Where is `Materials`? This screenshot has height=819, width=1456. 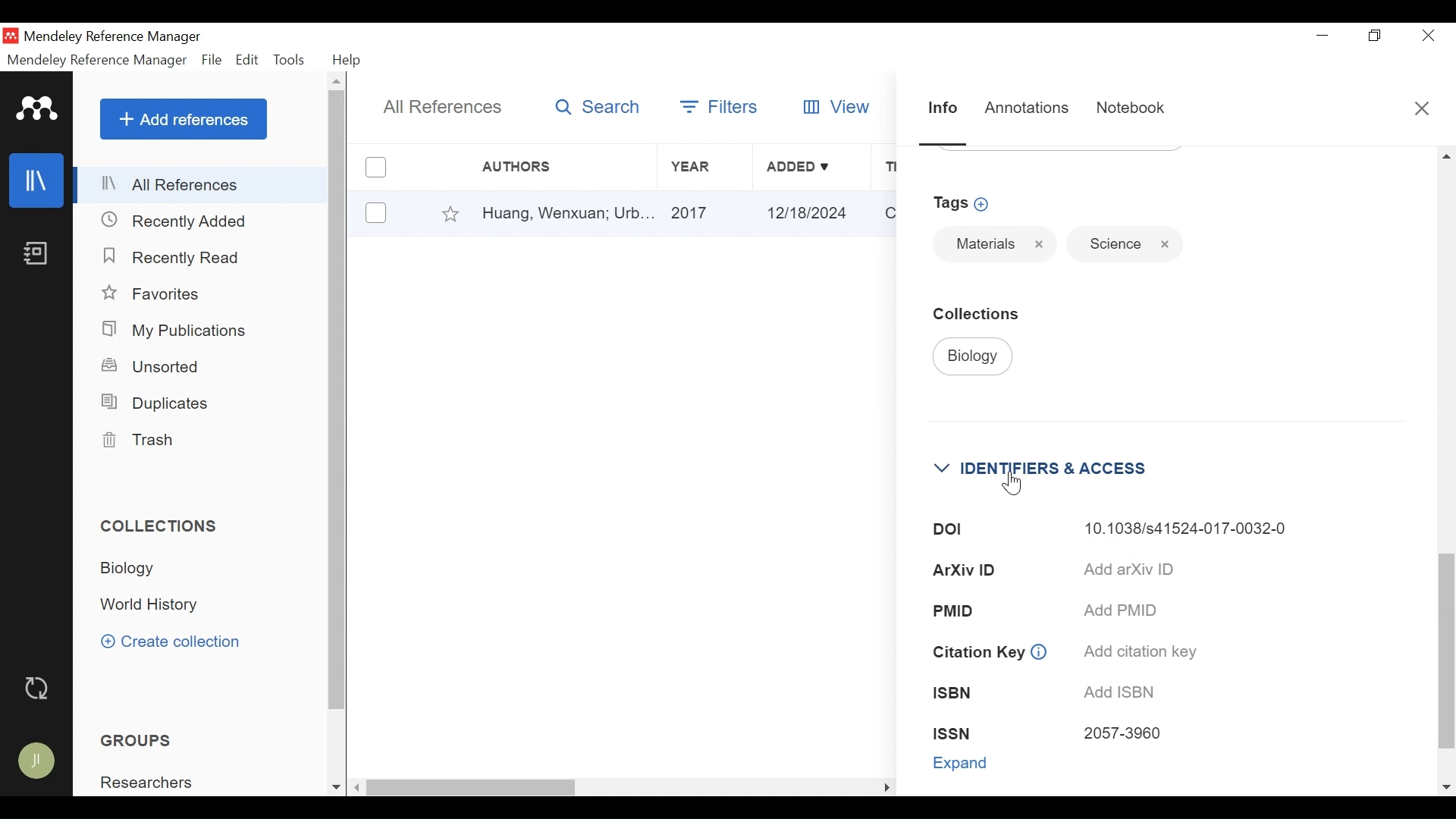 Materials is located at coordinates (982, 243).